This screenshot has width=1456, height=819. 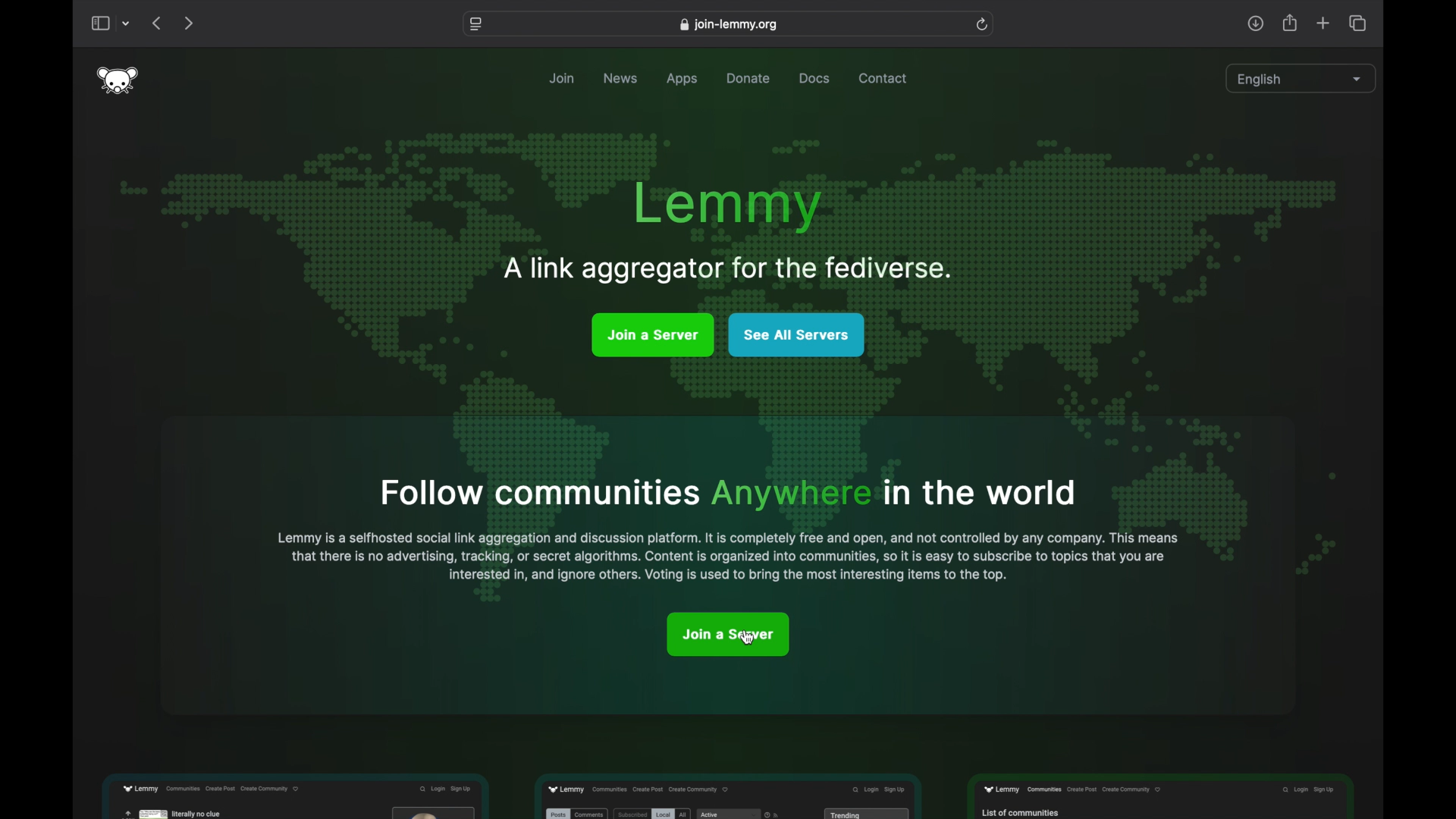 I want to click on feature preview, so click(x=294, y=794).